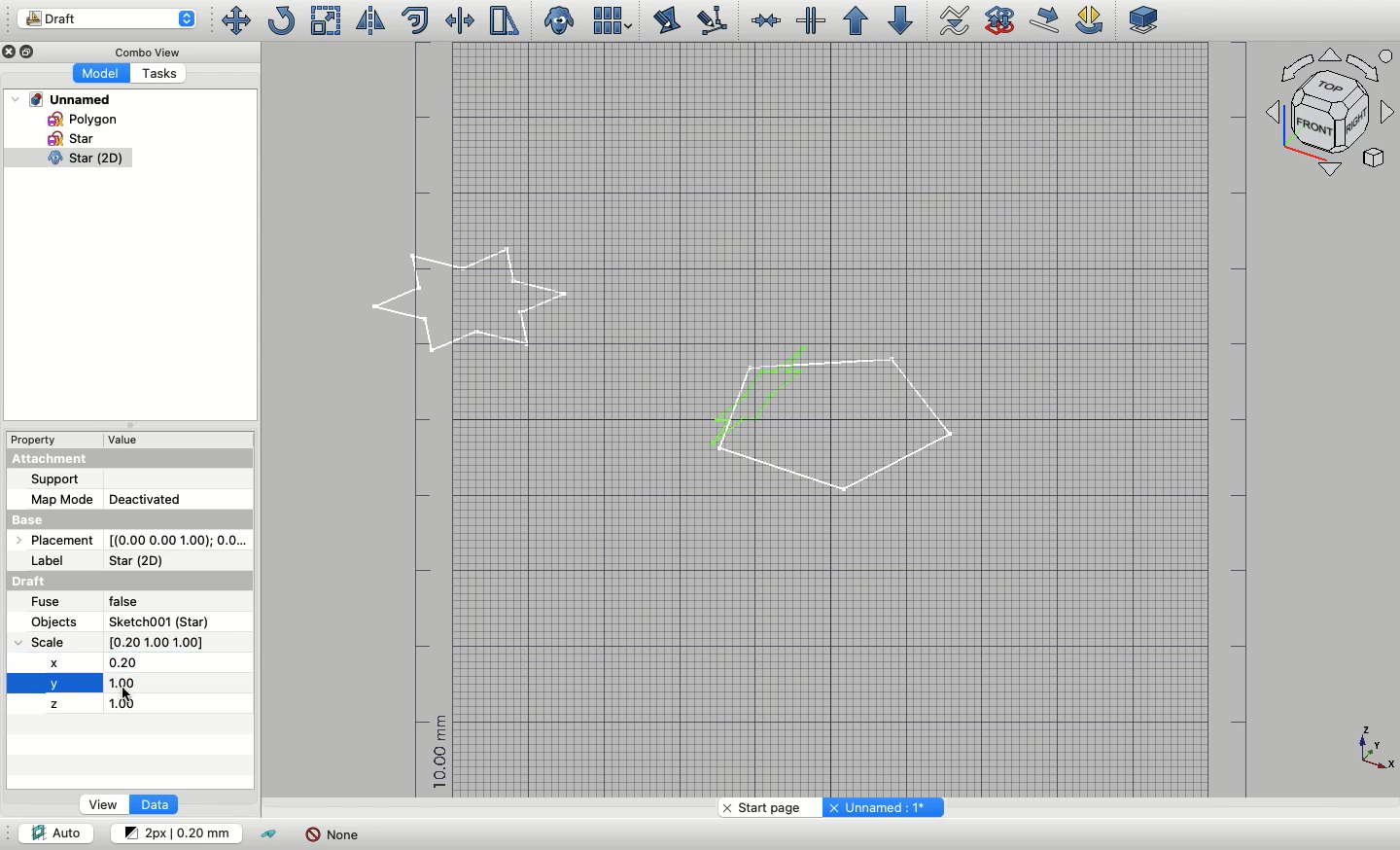 The height and width of the screenshot is (850, 1400). What do you see at coordinates (1046, 19) in the screenshot?
I see `Draft move` at bounding box center [1046, 19].